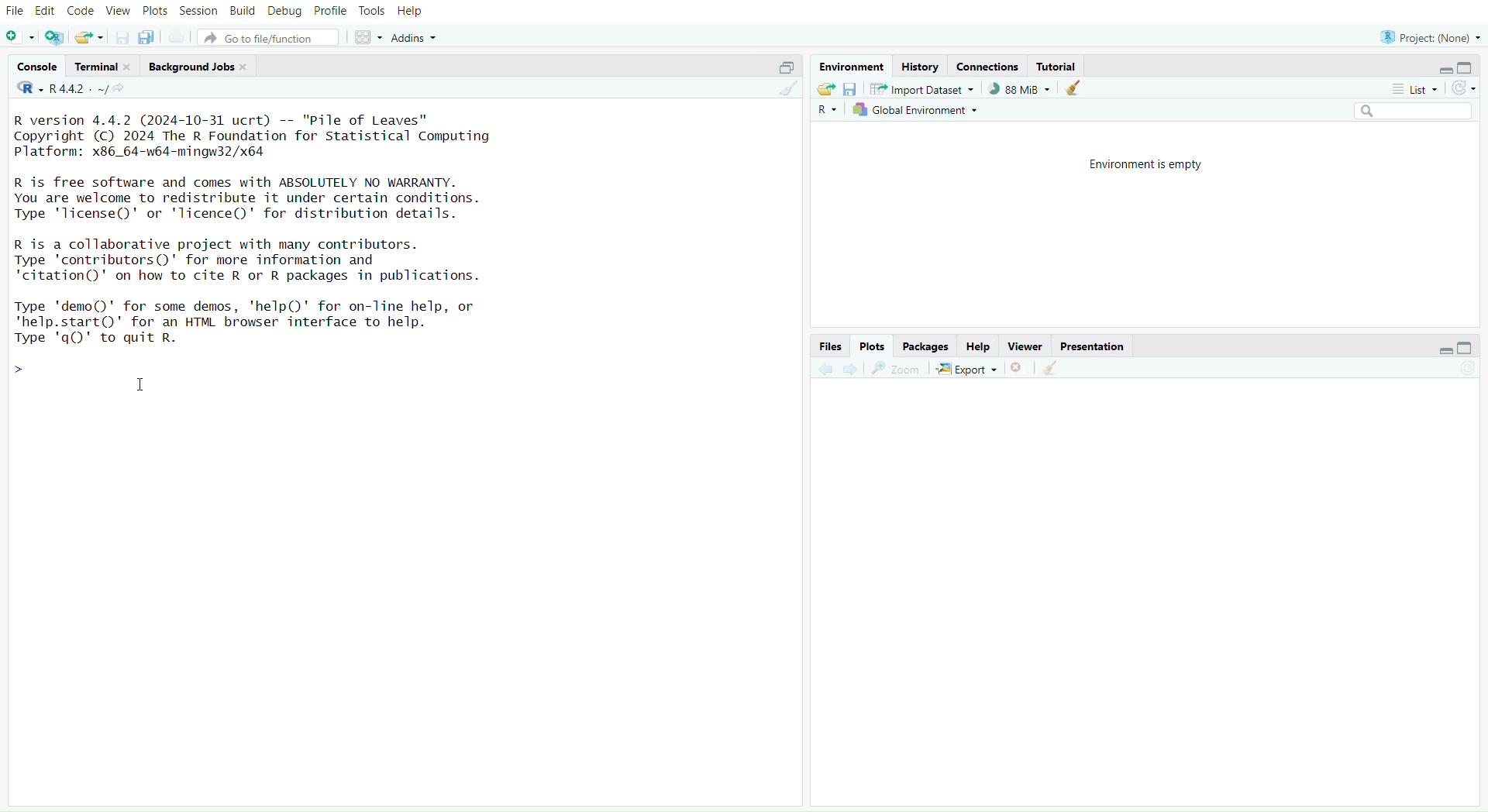 The width and height of the screenshot is (1488, 812). What do you see at coordinates (201, 67) in the screenshot?
I see `background jobs` at bounding box center [201, 67].